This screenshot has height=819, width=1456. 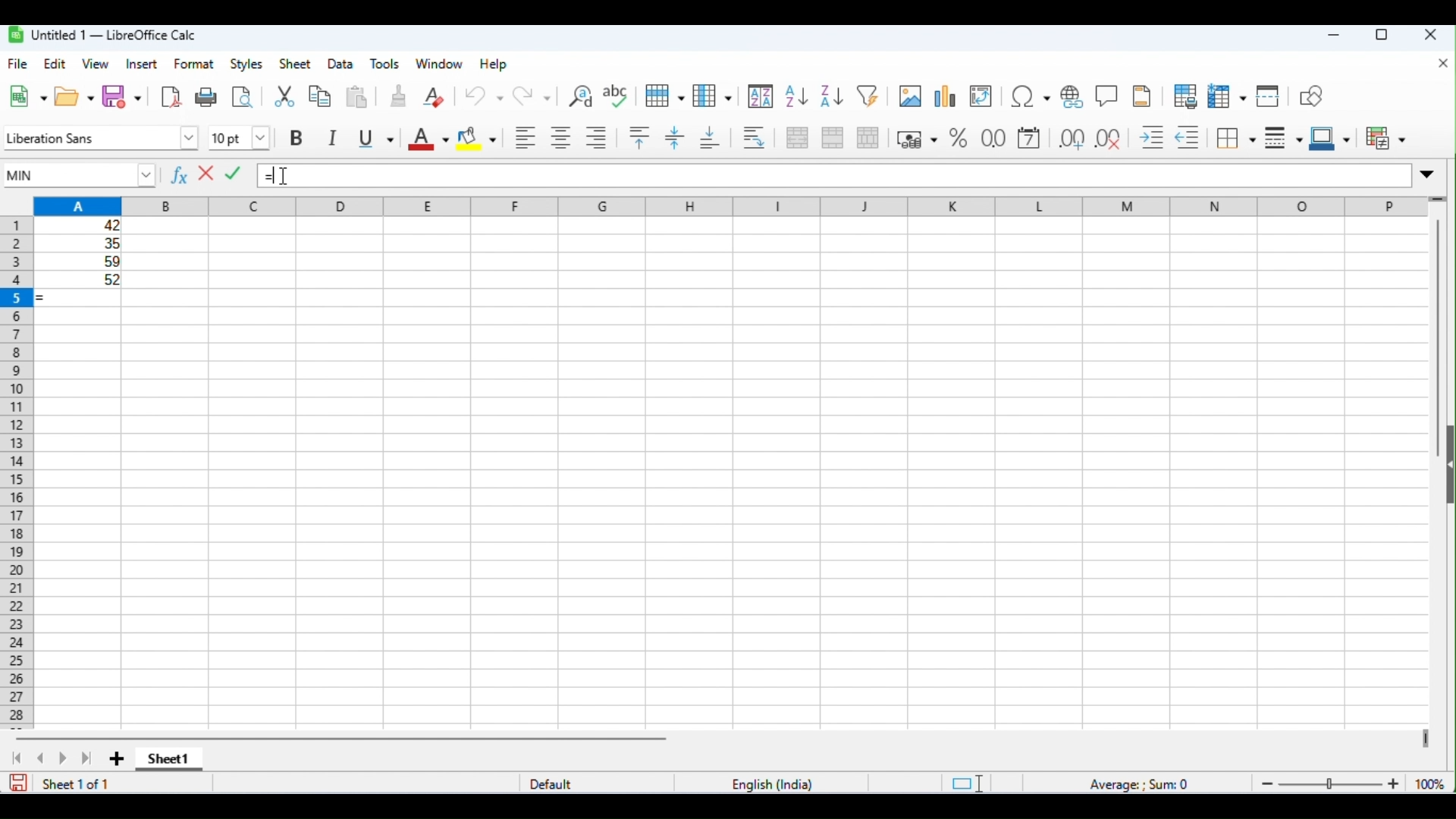 I want to click on open or close side bar, so click(x=1447, y=469).